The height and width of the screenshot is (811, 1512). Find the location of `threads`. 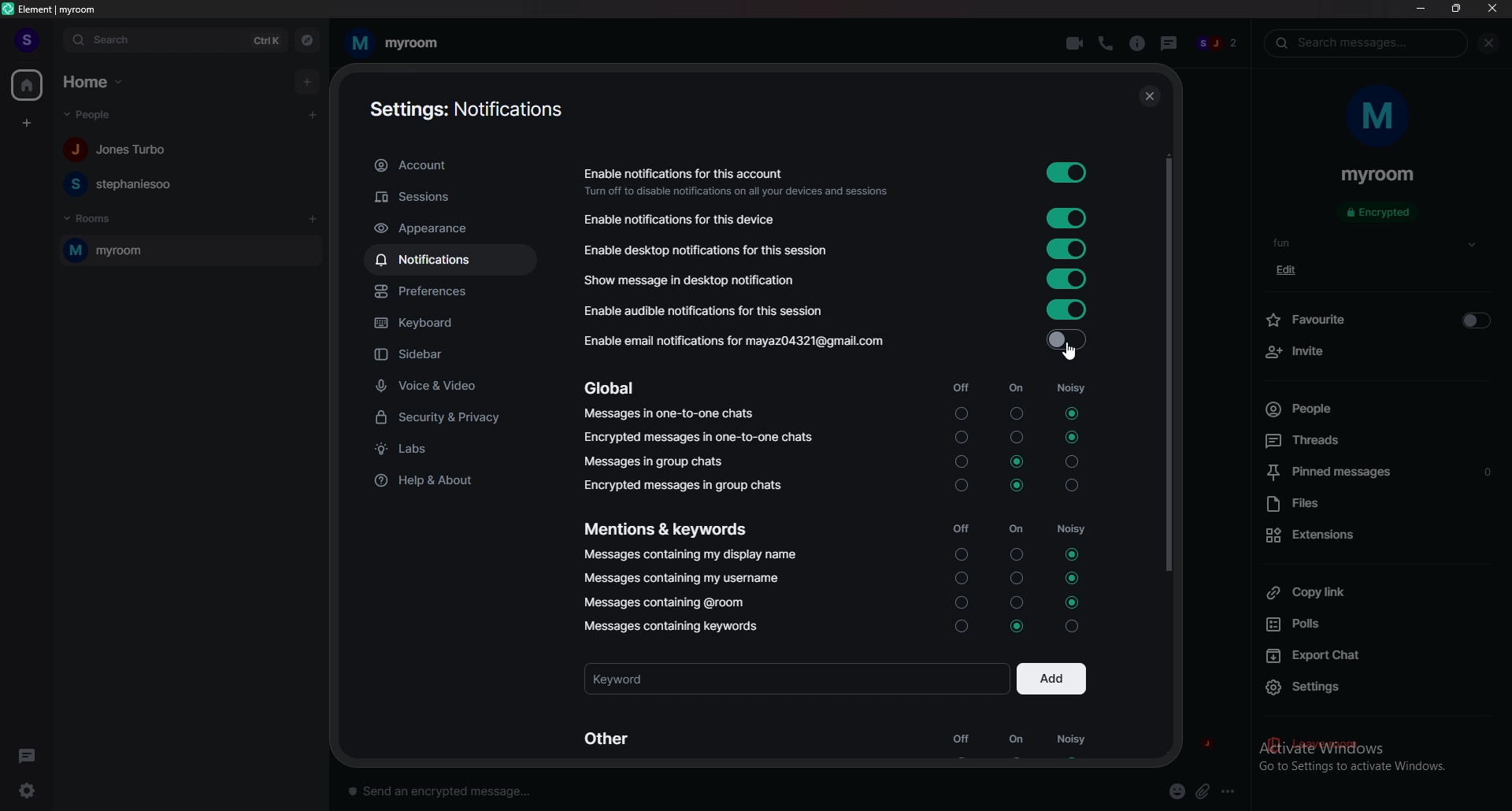

threads is located at coordinates (1370, 439).